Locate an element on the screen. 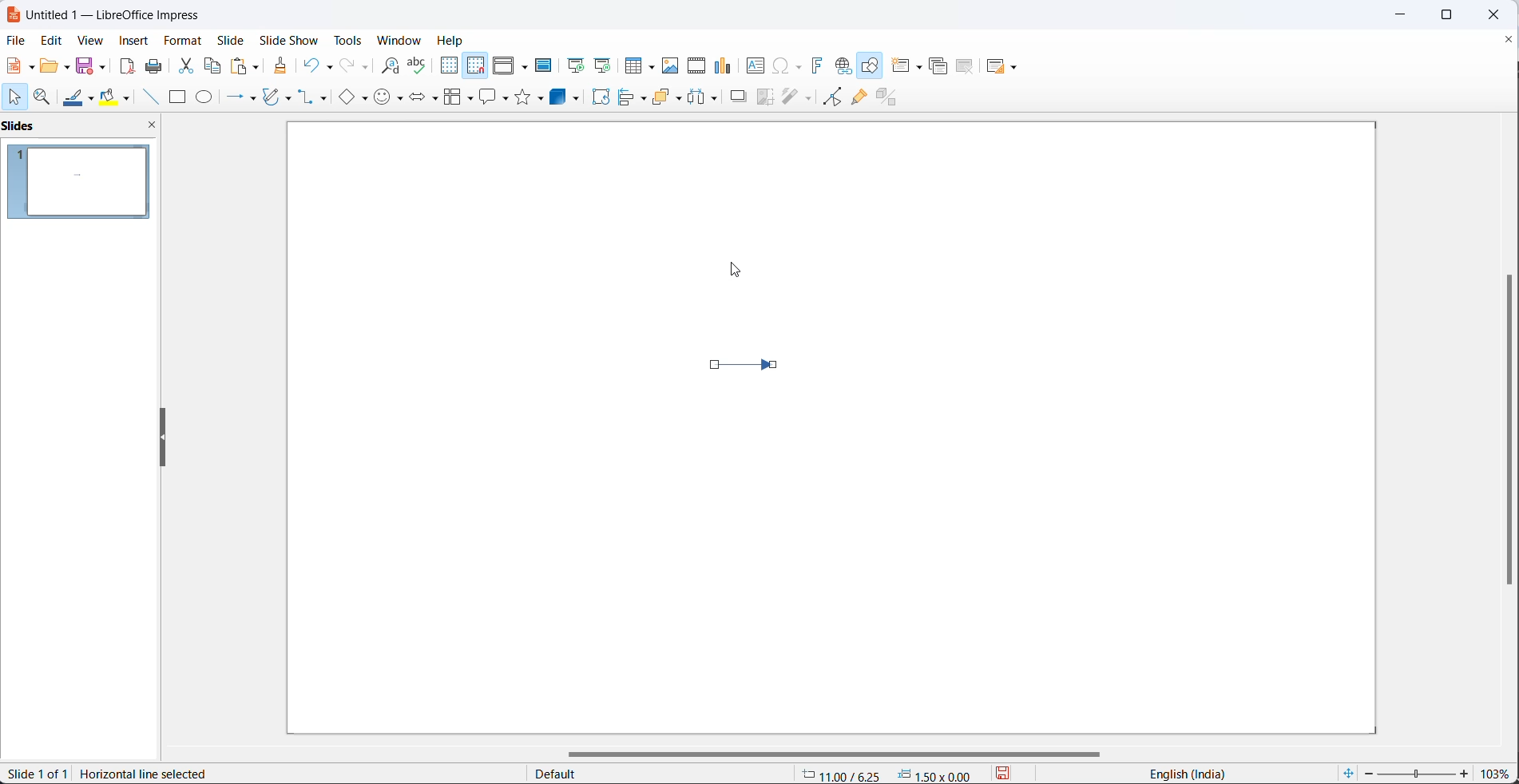 The width and height of the screenshot is (1519, 784). line and arrows options is located at coordinates (256, 99).